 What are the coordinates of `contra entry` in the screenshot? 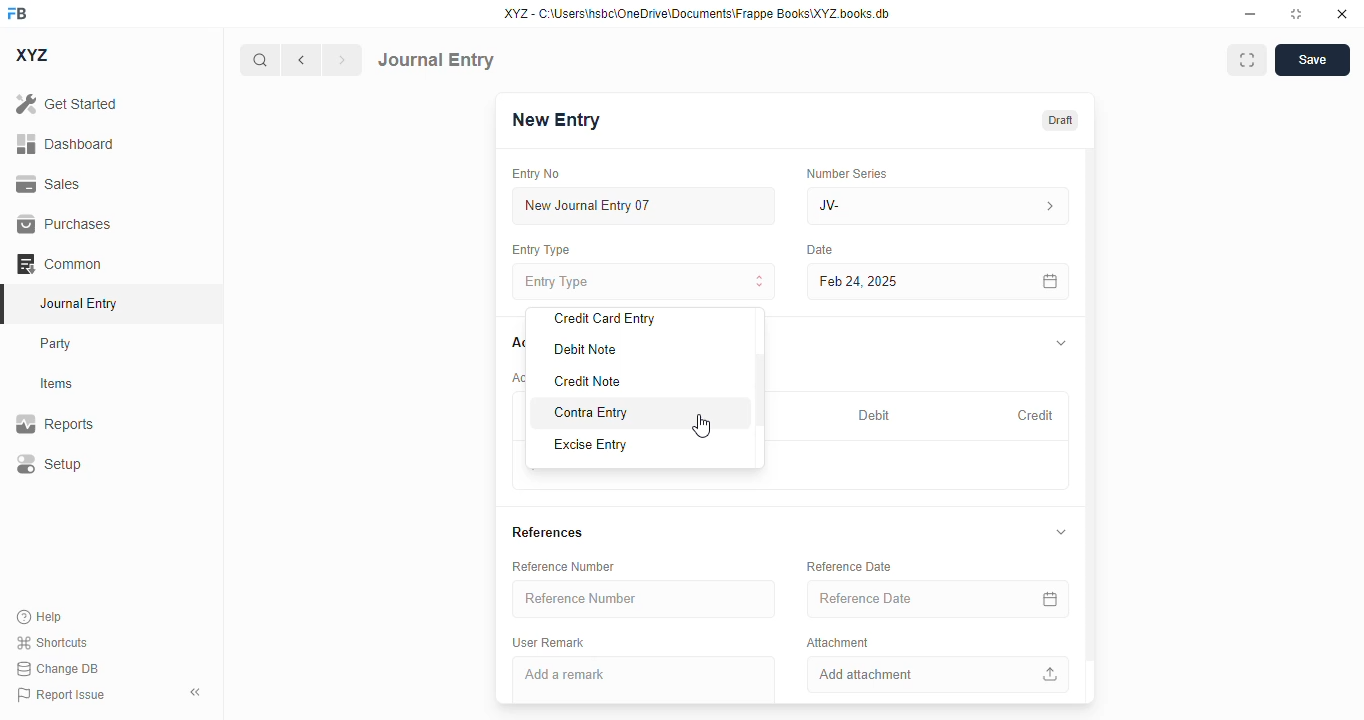 It's located at (591, 410).